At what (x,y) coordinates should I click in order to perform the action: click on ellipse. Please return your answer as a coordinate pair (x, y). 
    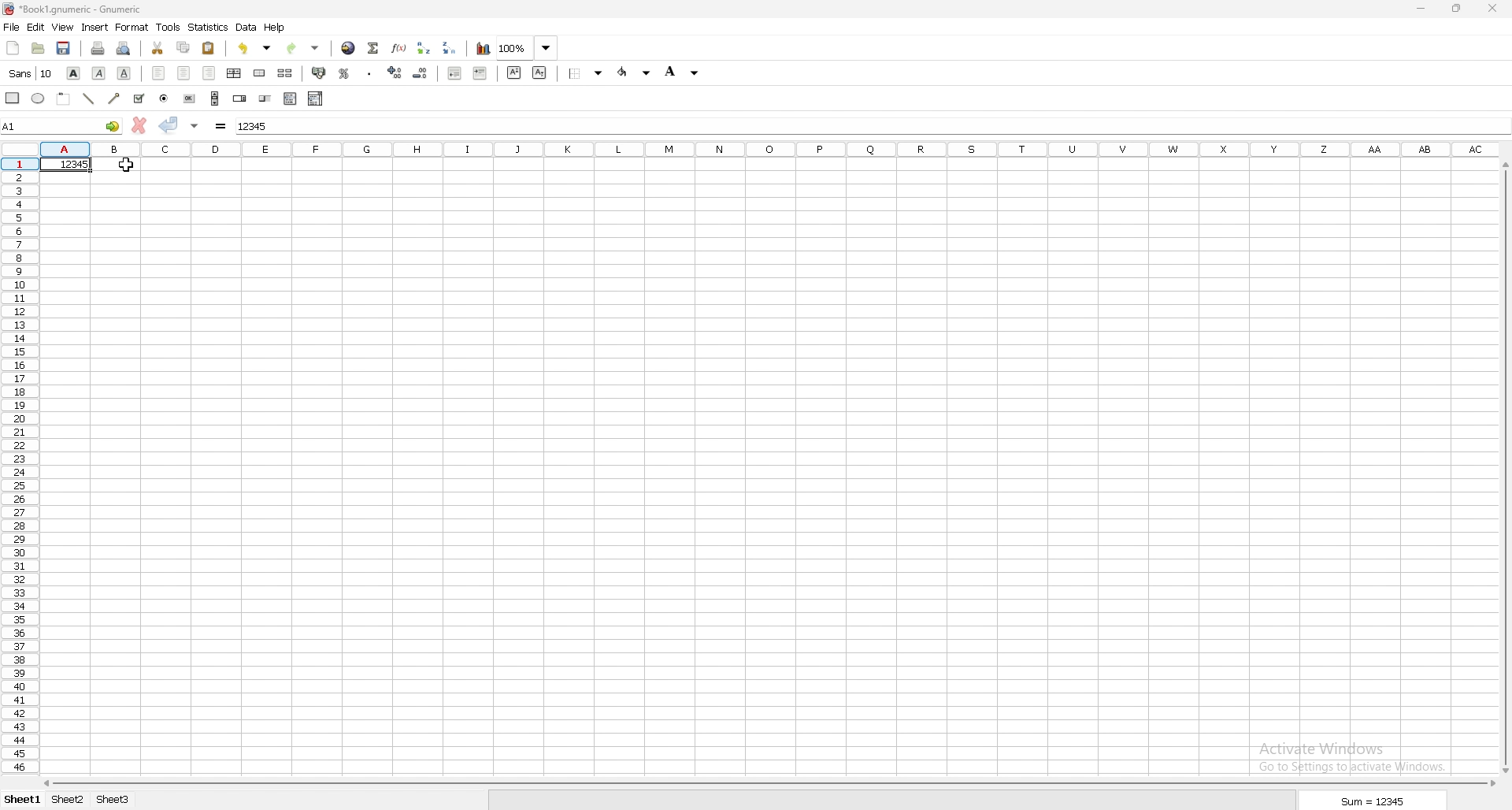
    Looking at the image, I should click on (39, 98).